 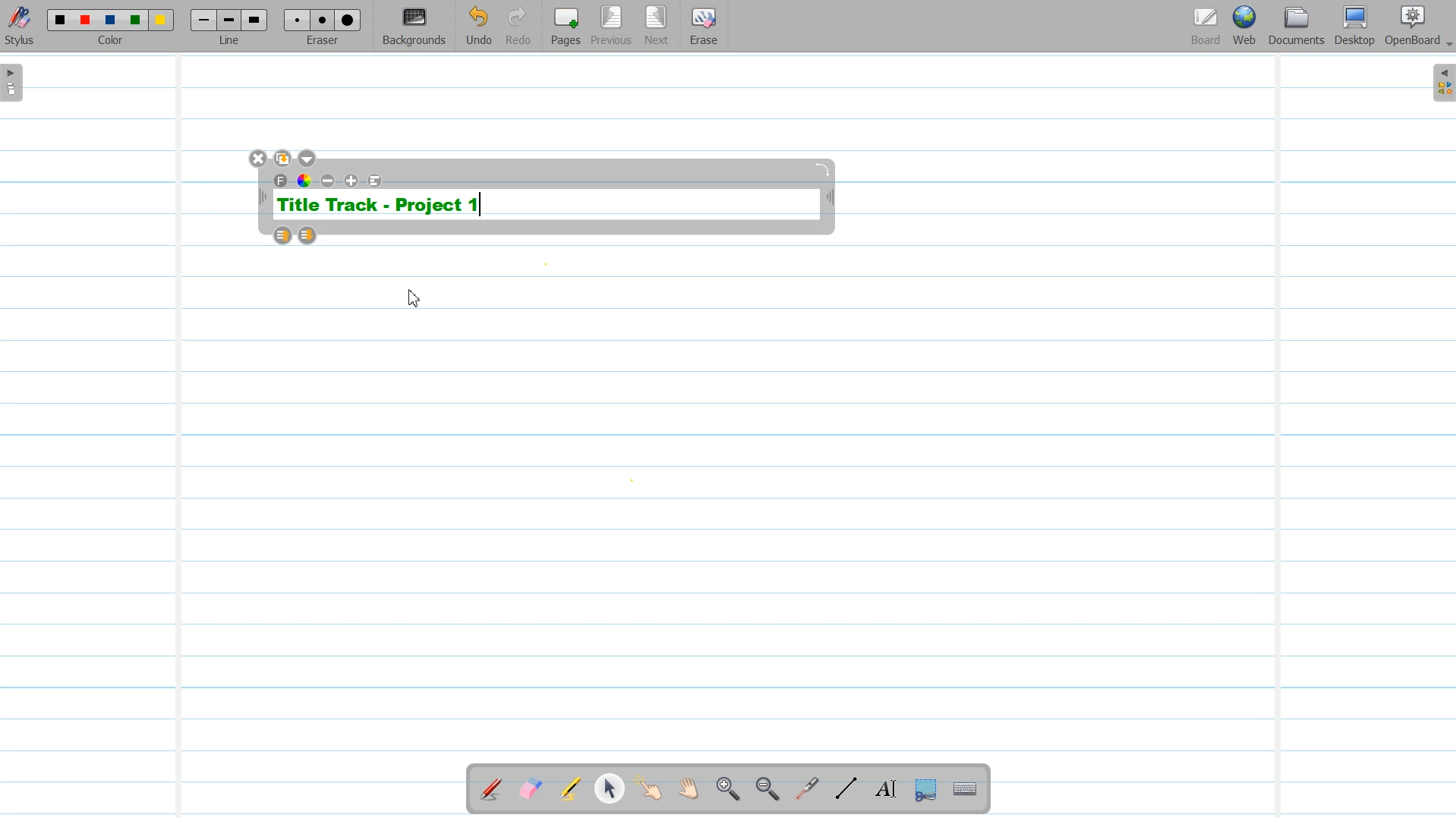 I want to click on Minimize text size, so click(x=329, y=181).